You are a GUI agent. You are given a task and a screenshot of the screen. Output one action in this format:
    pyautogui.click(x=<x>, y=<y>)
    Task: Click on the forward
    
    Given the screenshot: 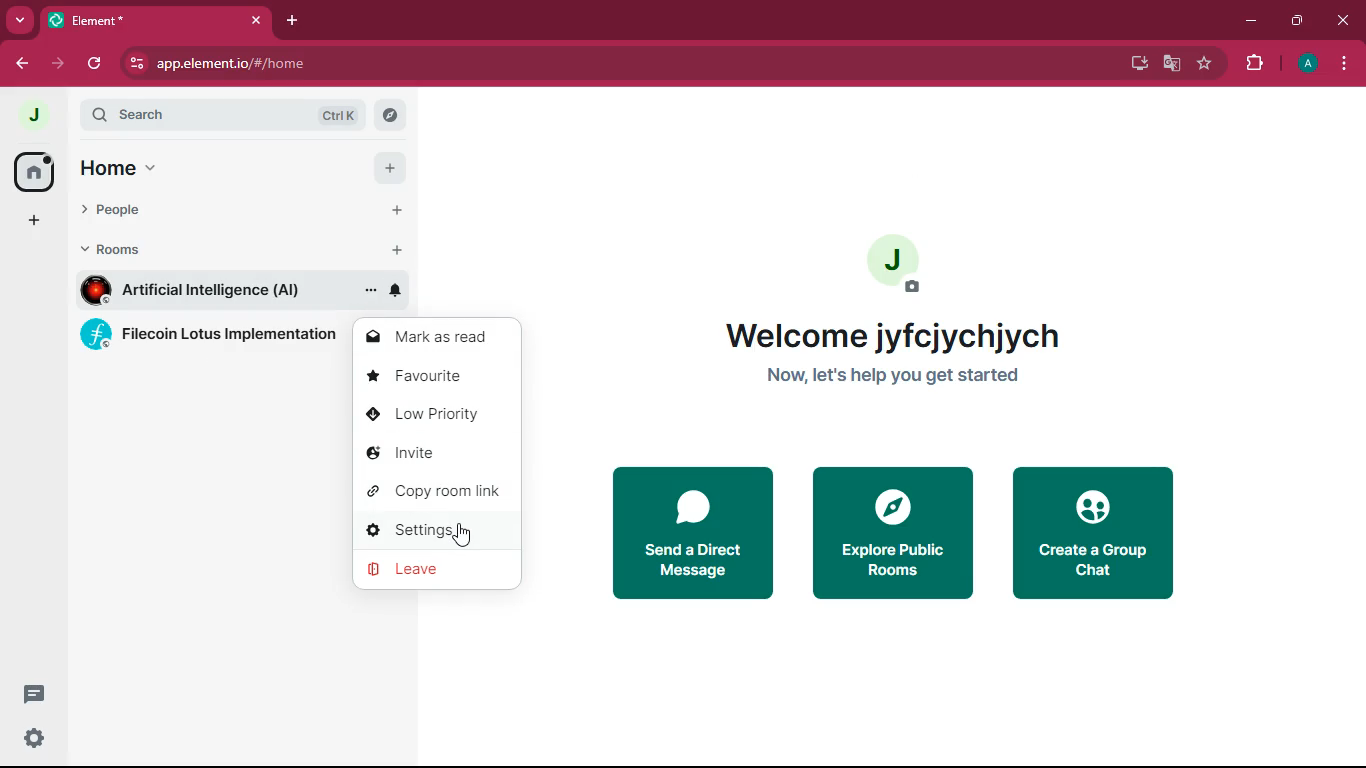 What is the action you would take?
    pyautogui.click(x=59, y=63)
    